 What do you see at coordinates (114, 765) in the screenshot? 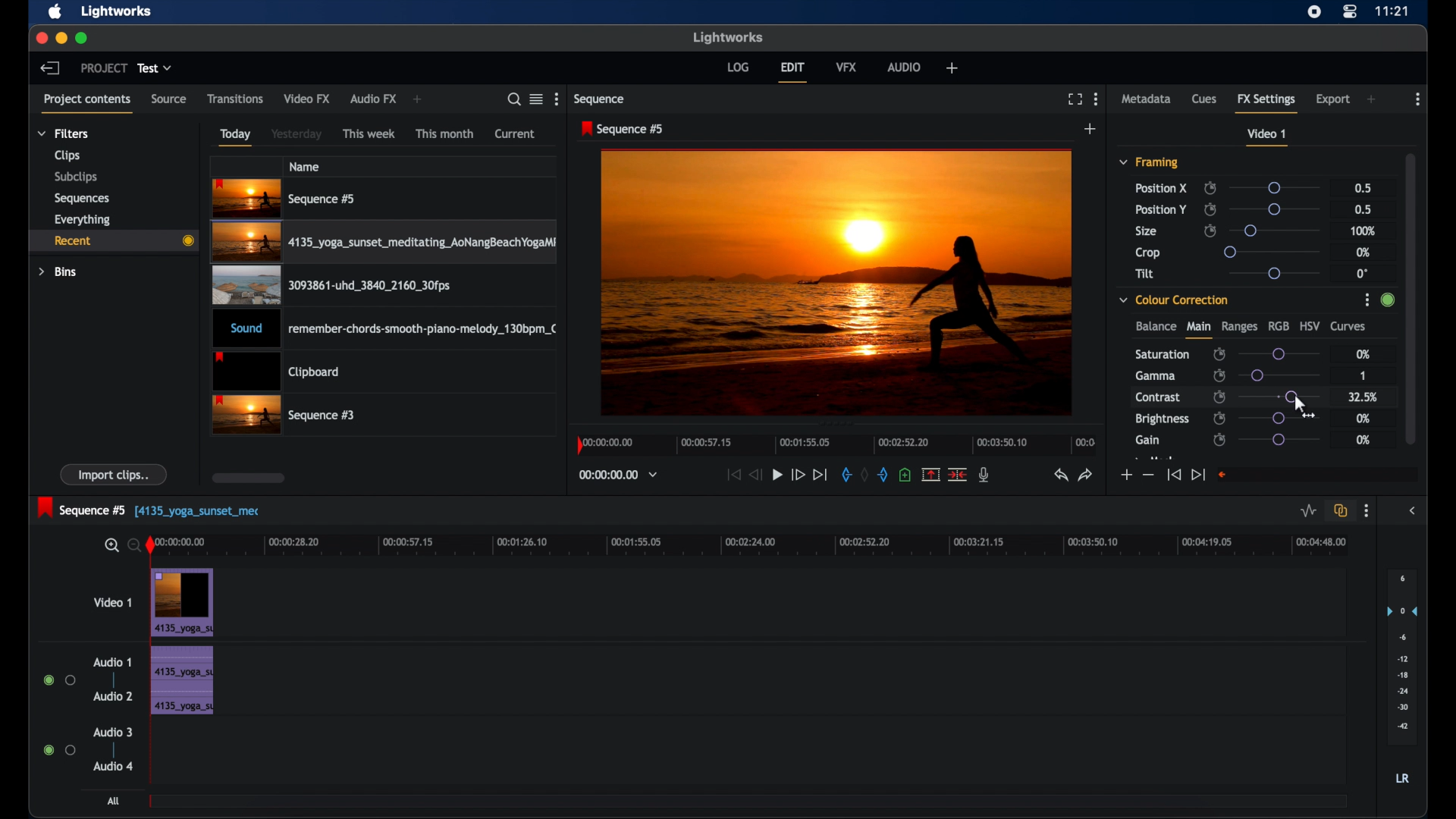
I see `audio 4` at bounding box center [114, 765].